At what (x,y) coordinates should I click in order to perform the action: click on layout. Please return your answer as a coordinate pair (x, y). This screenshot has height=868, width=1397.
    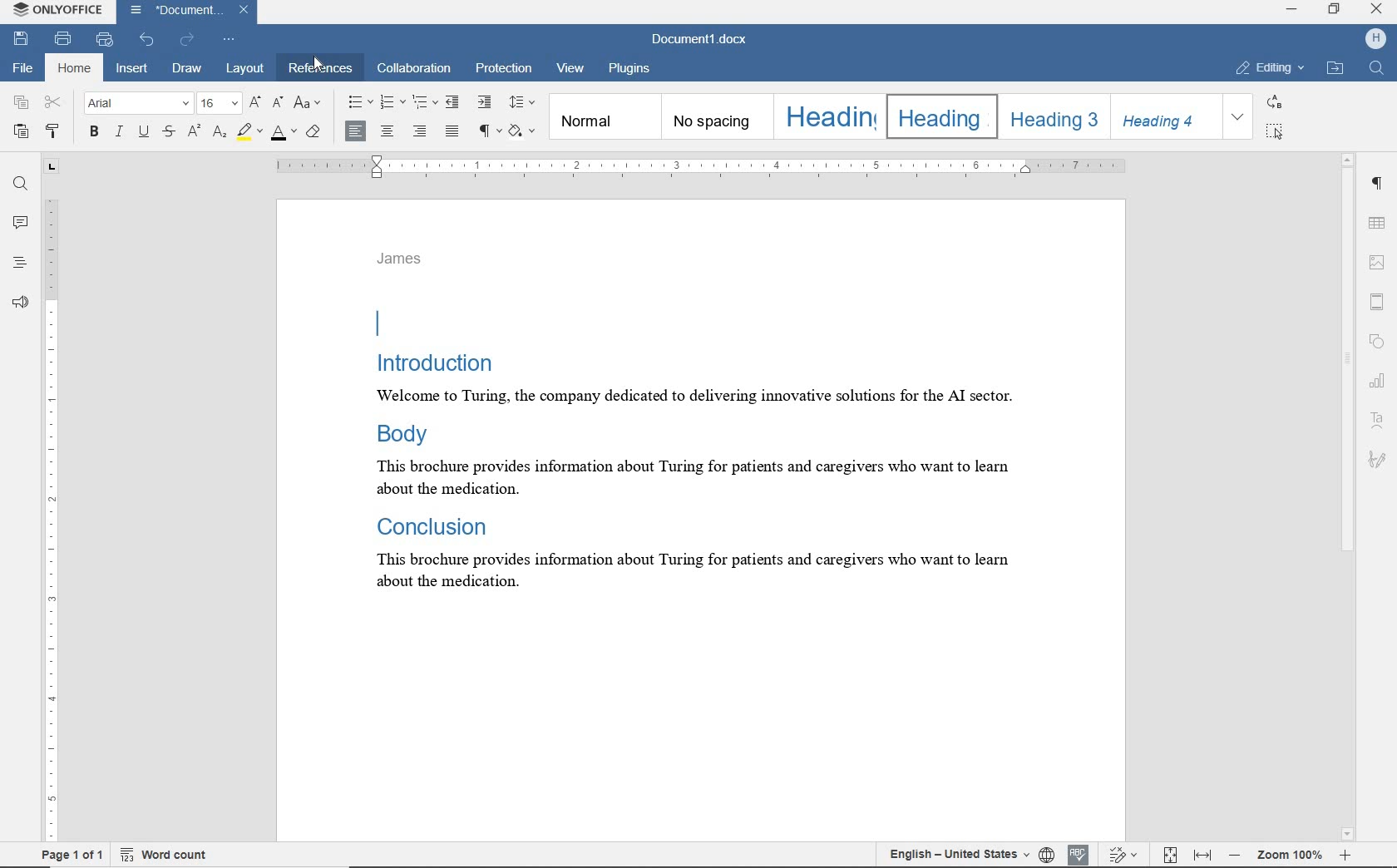
    Looking at the image, I should click on (244, 68).